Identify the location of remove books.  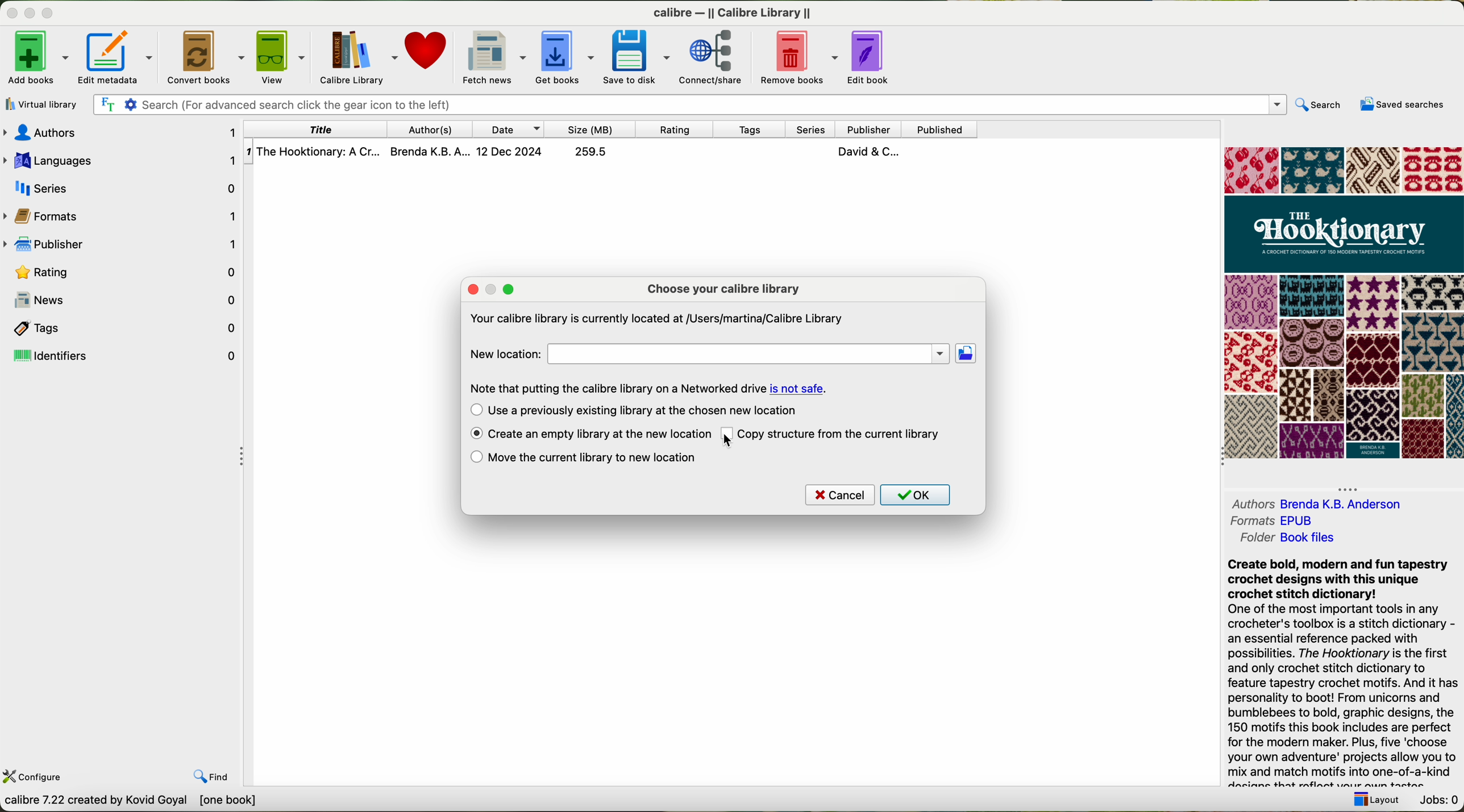
(797, 57).